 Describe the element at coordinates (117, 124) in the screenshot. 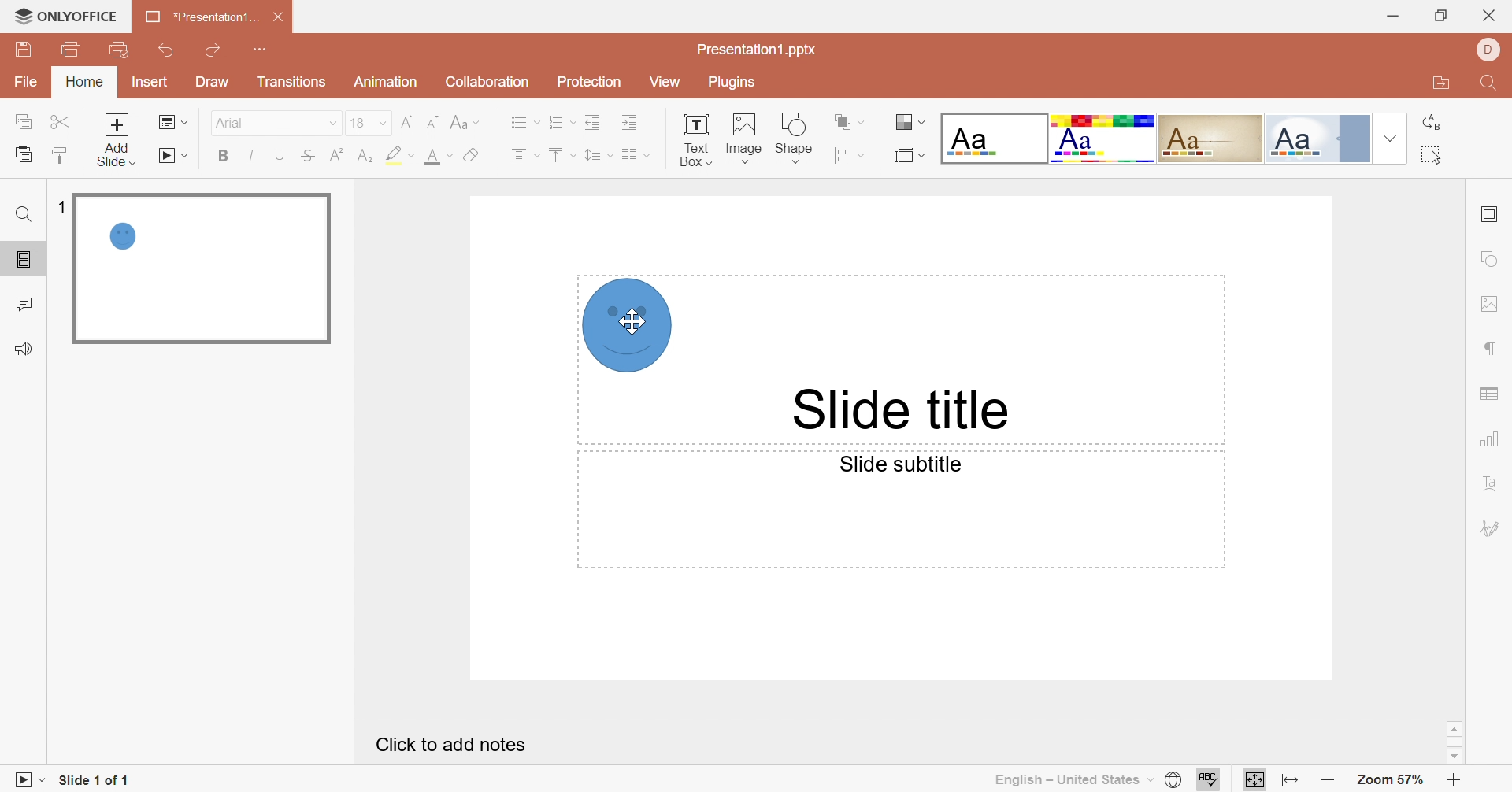

I see `Add slide` at that location.